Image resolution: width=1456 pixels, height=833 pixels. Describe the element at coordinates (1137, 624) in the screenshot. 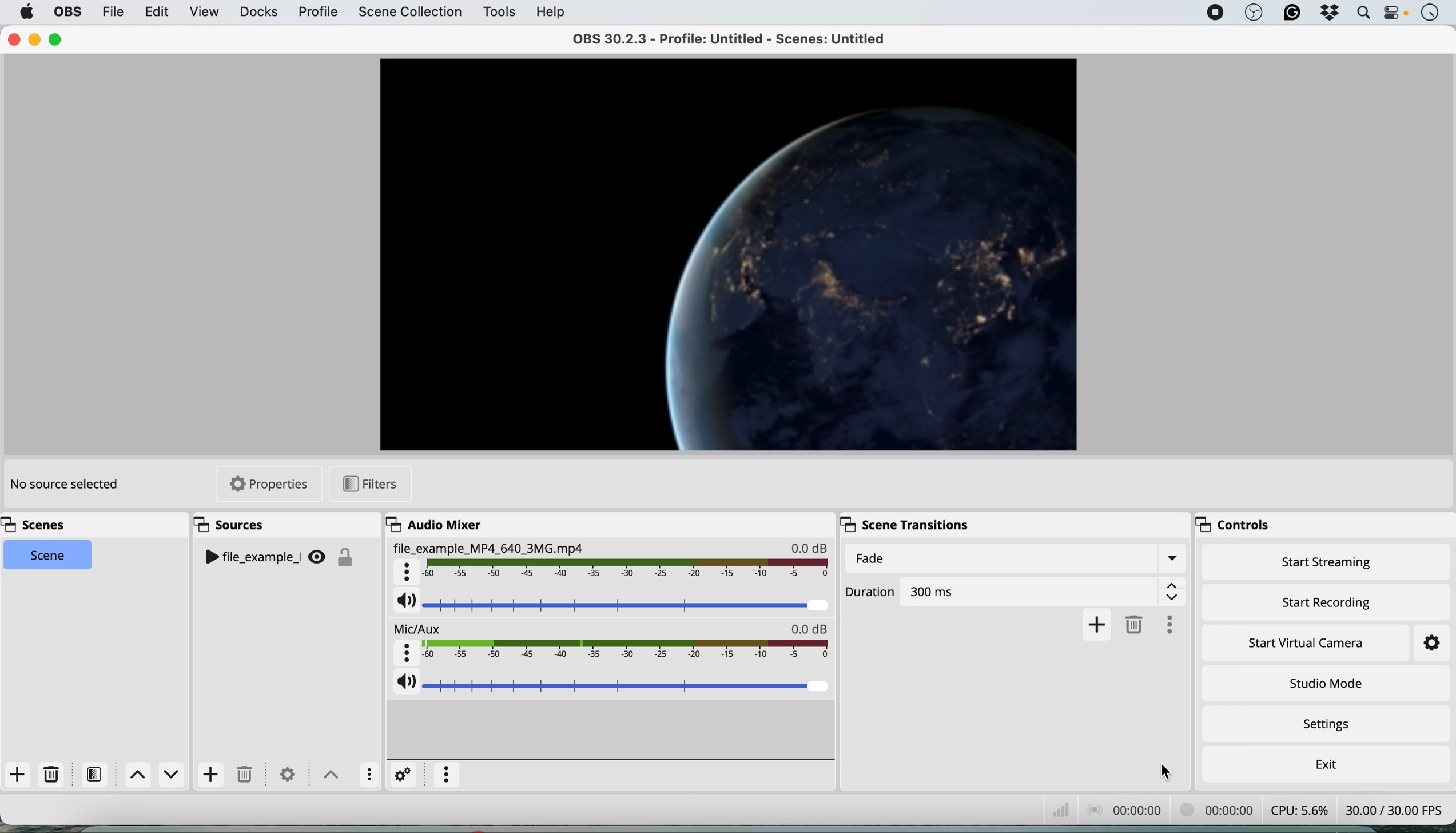

I see `delete transition` at that location.